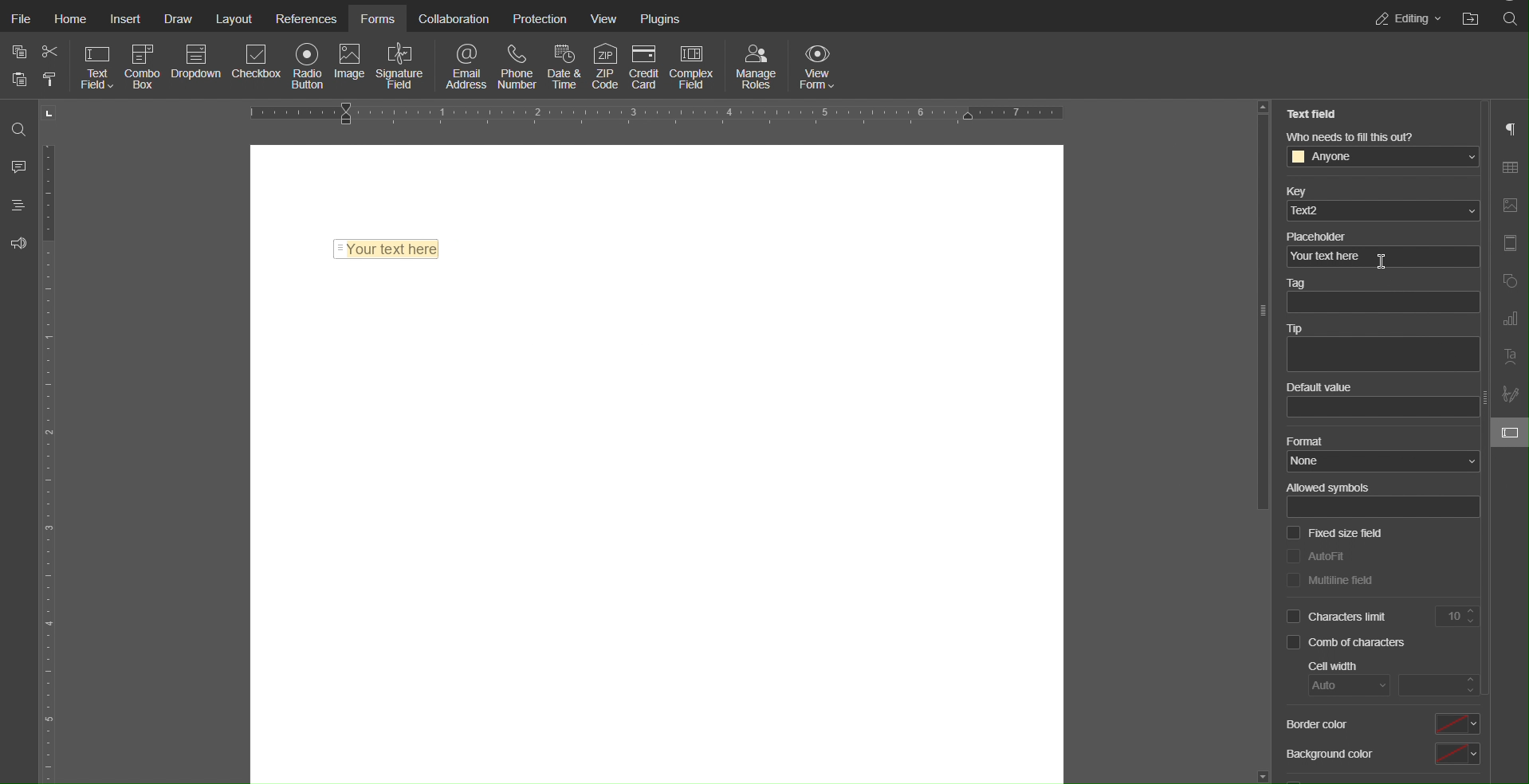  I want to click on File, so click(20, 20).